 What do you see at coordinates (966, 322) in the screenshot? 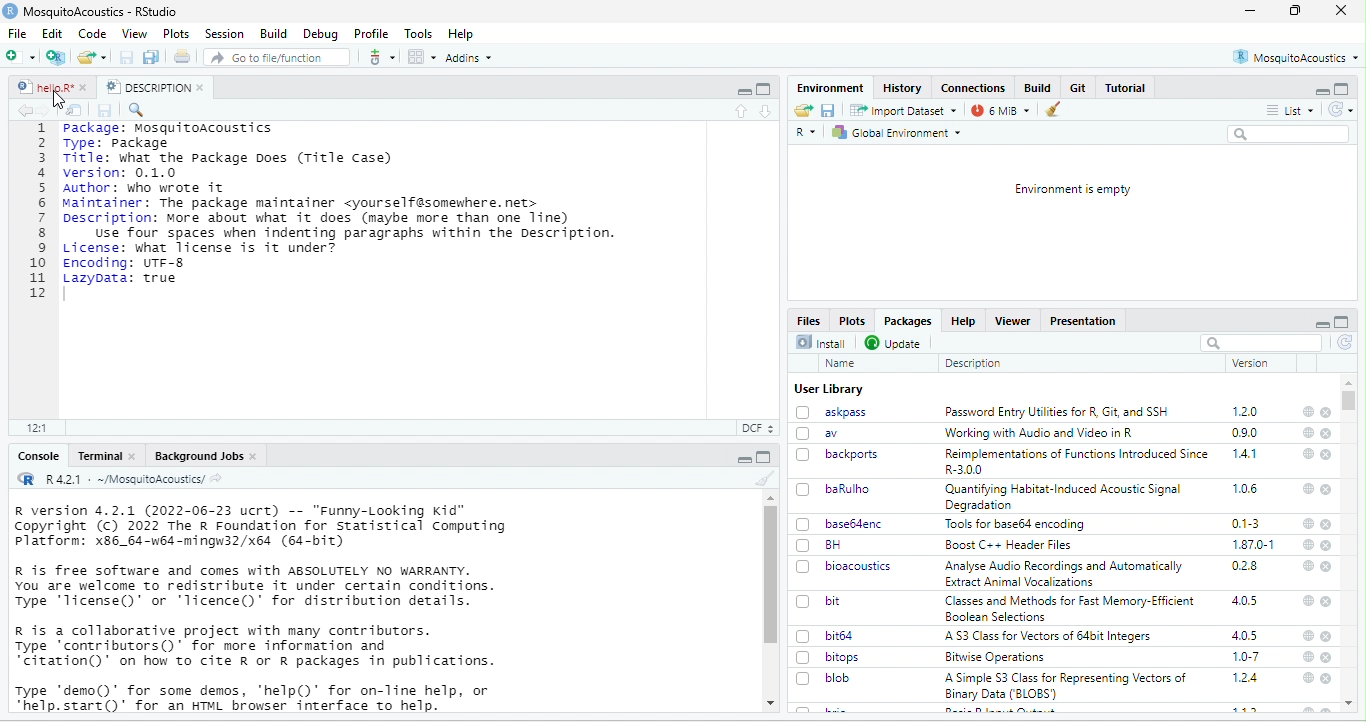
I see `Help` at bounding box center [966, 322].